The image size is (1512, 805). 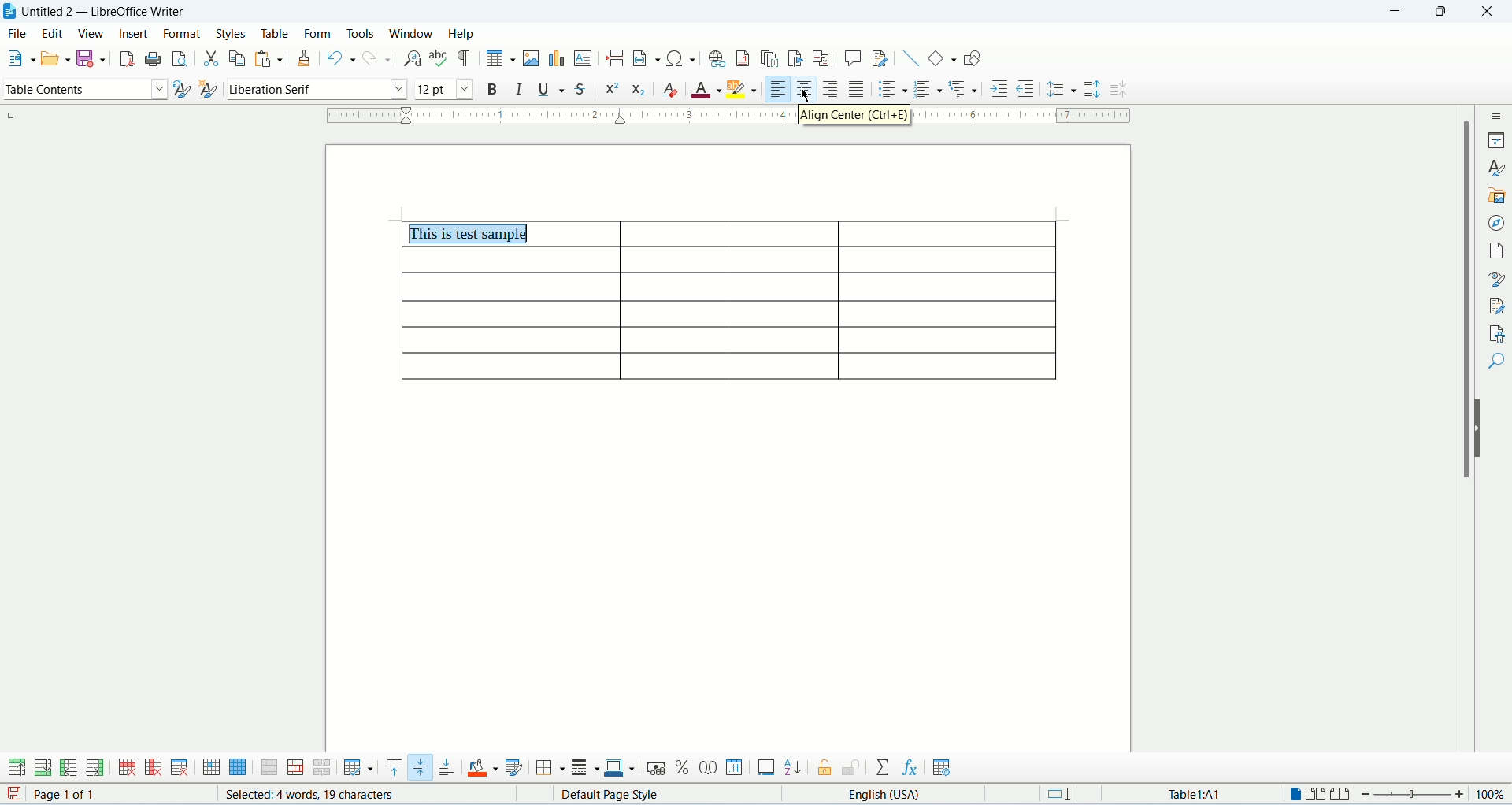 What do you see at coordinates (621, 795) in the screenshot?
I see `page style` at bounding box center [621, 795].